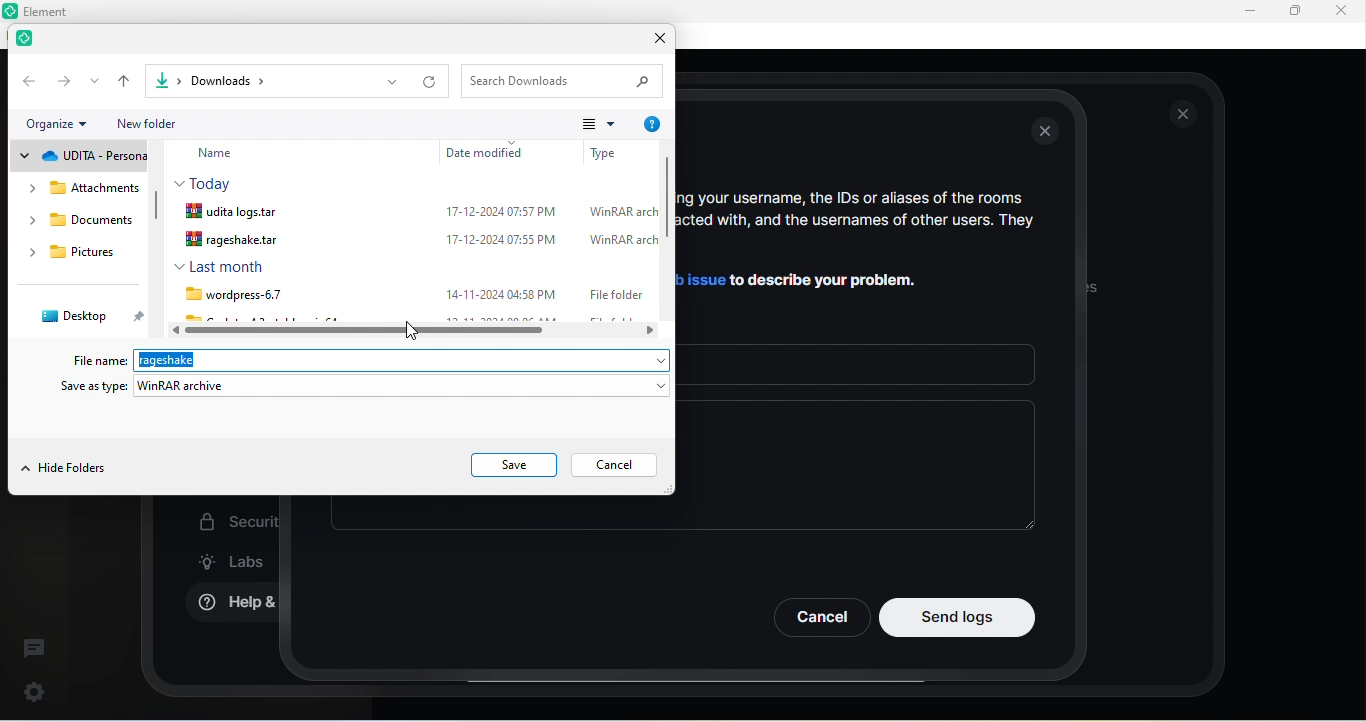 The image size is (1366, 722). Describe the element at coordinates (63, 125) in the screenshot. I see `organize` at that location.